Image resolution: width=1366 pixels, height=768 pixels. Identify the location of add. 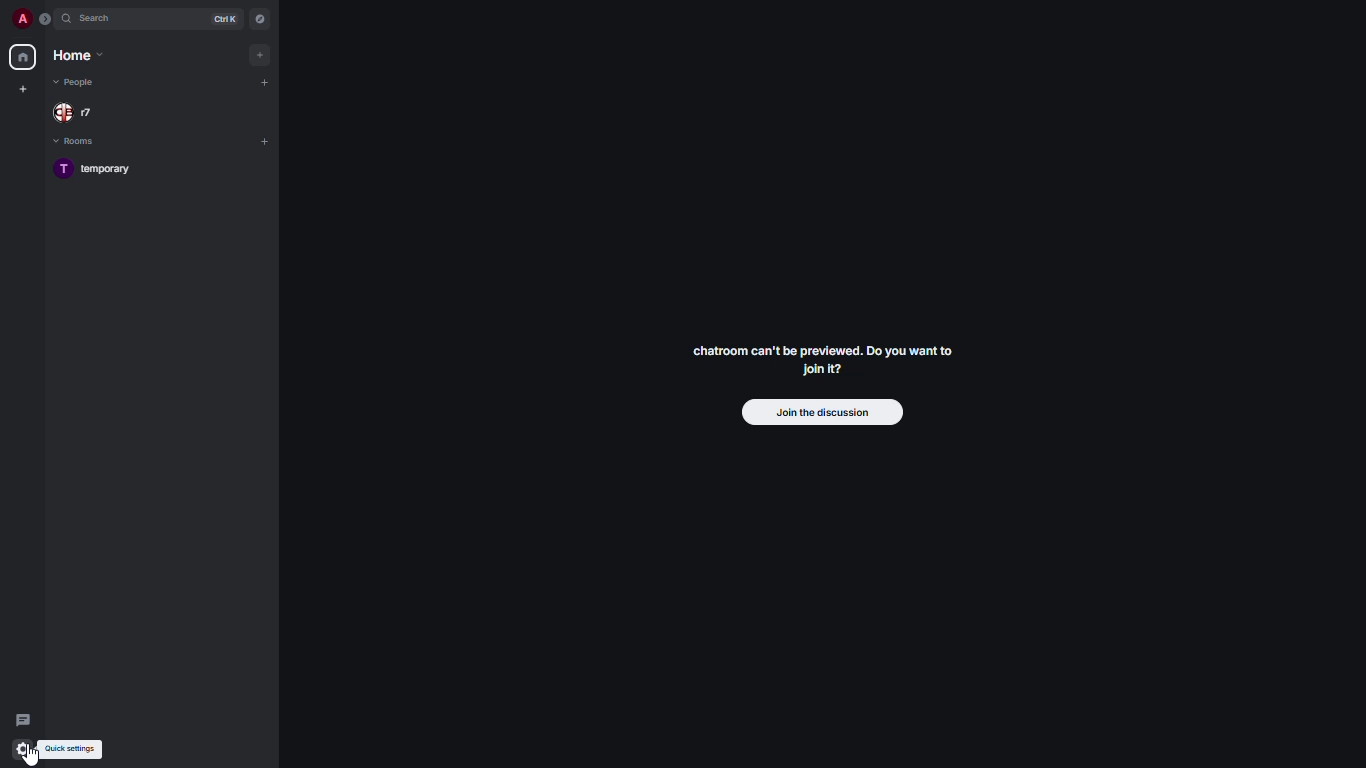
(262, 55).